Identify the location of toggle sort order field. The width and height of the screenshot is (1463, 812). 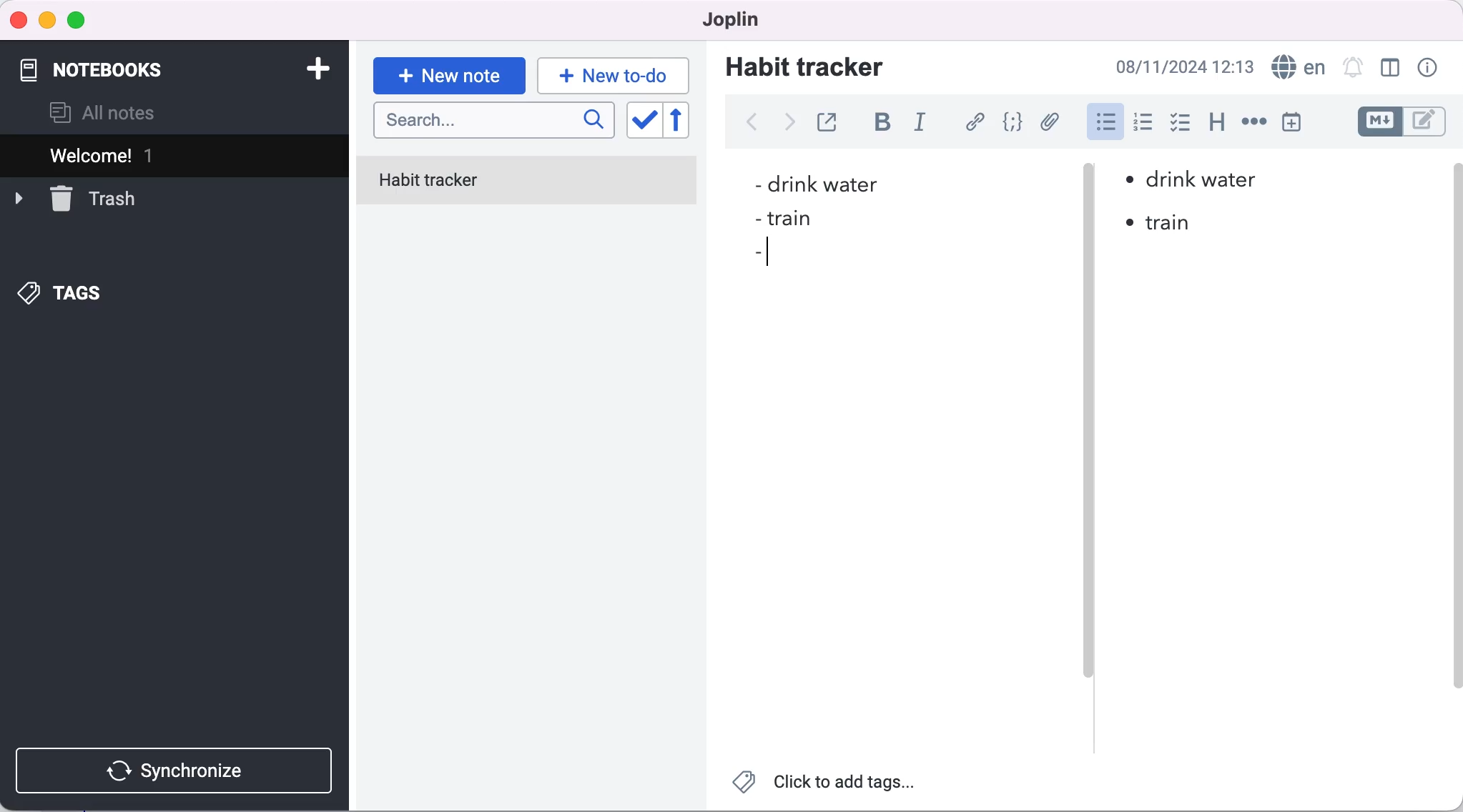
(643, 122).